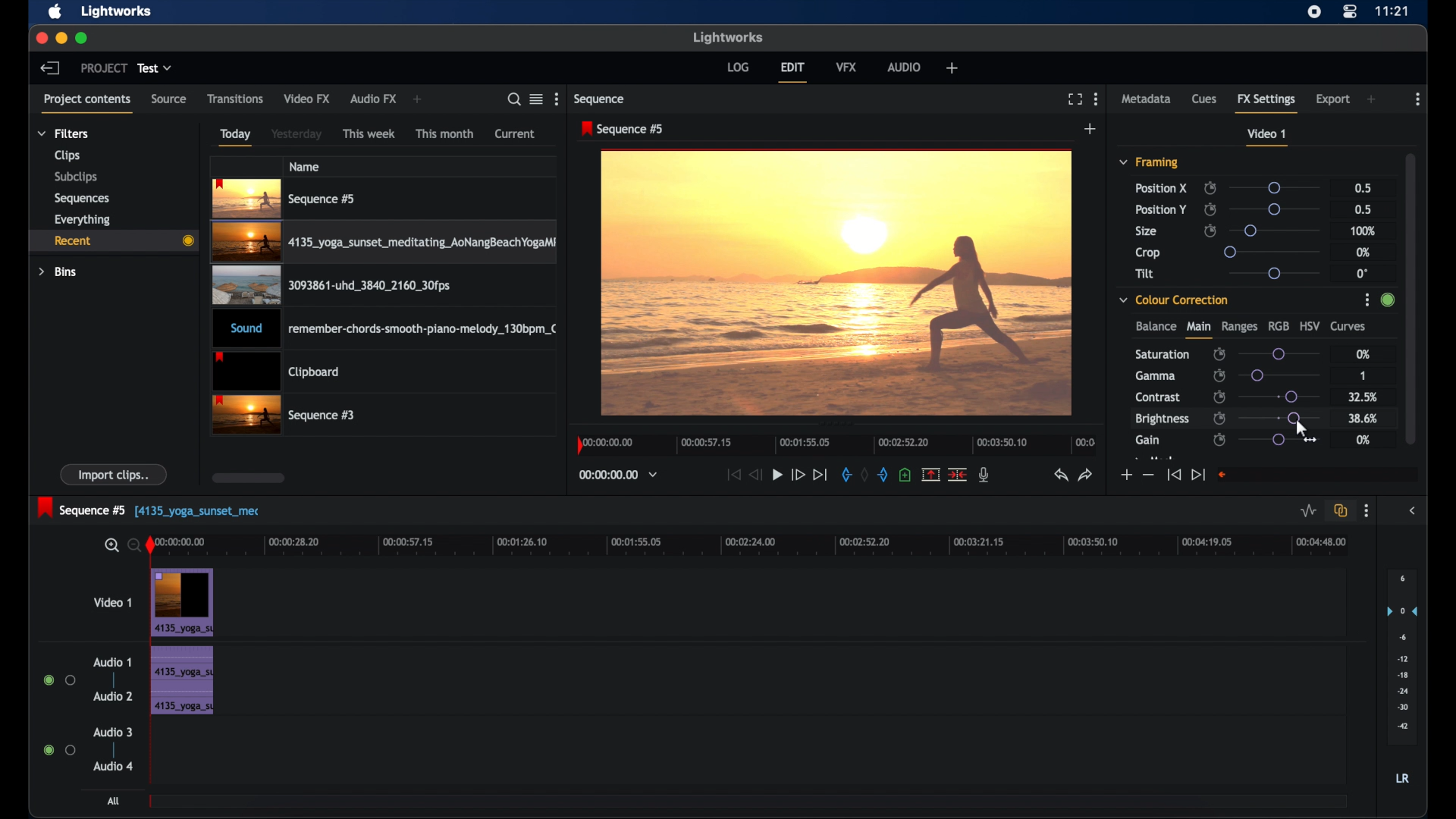  What do you see at coordinates (104, 68) in the screenshot?
I see `project` at bounding box center [104, 68].